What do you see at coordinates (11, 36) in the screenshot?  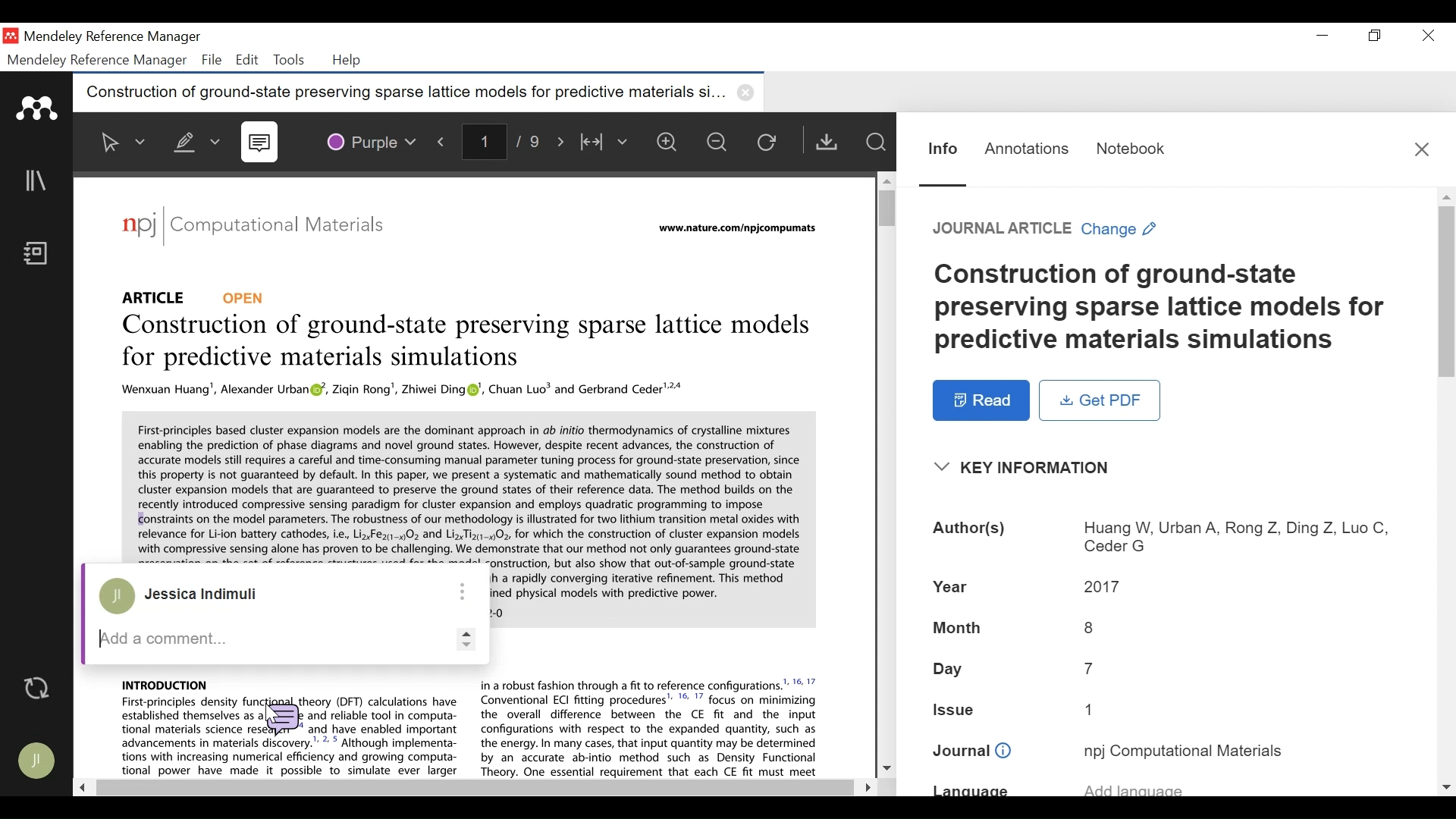 I see `Mendeley Desktop Icon` at bounding box center [11, 36].